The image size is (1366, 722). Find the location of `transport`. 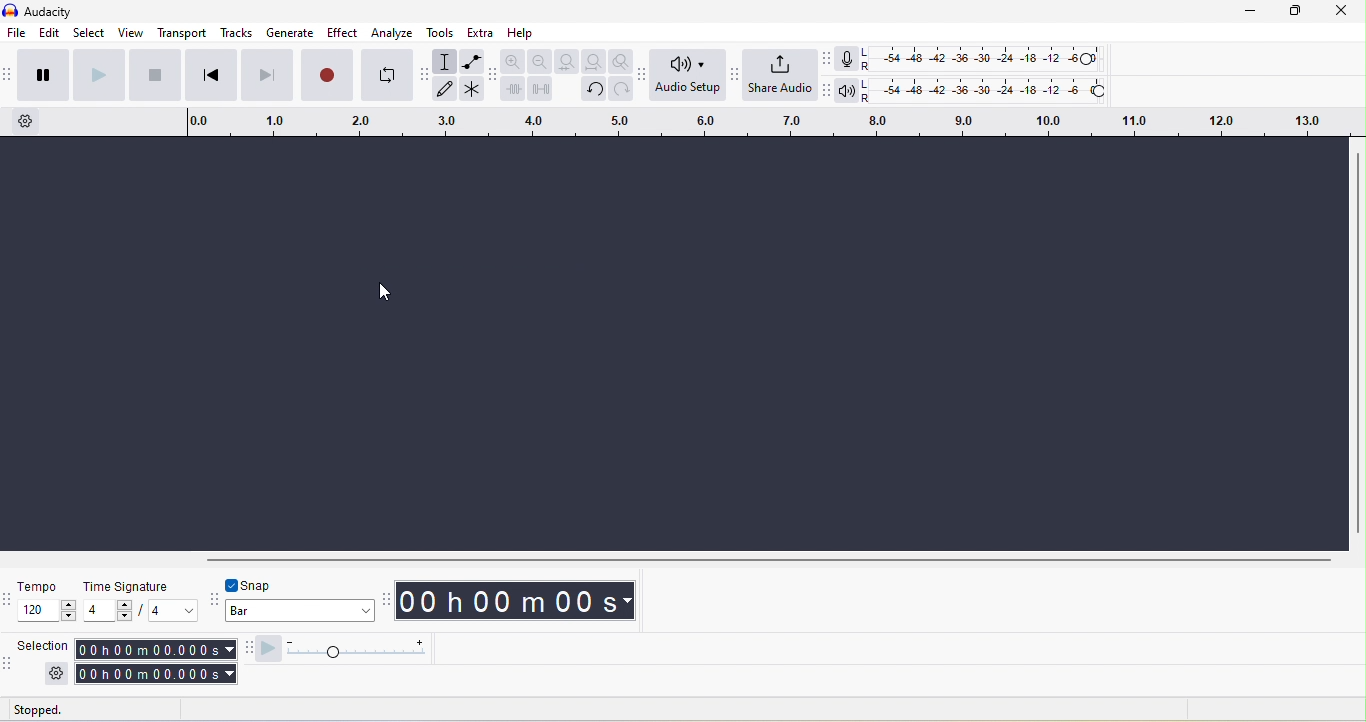

transport is located at coordinates (182, 32).